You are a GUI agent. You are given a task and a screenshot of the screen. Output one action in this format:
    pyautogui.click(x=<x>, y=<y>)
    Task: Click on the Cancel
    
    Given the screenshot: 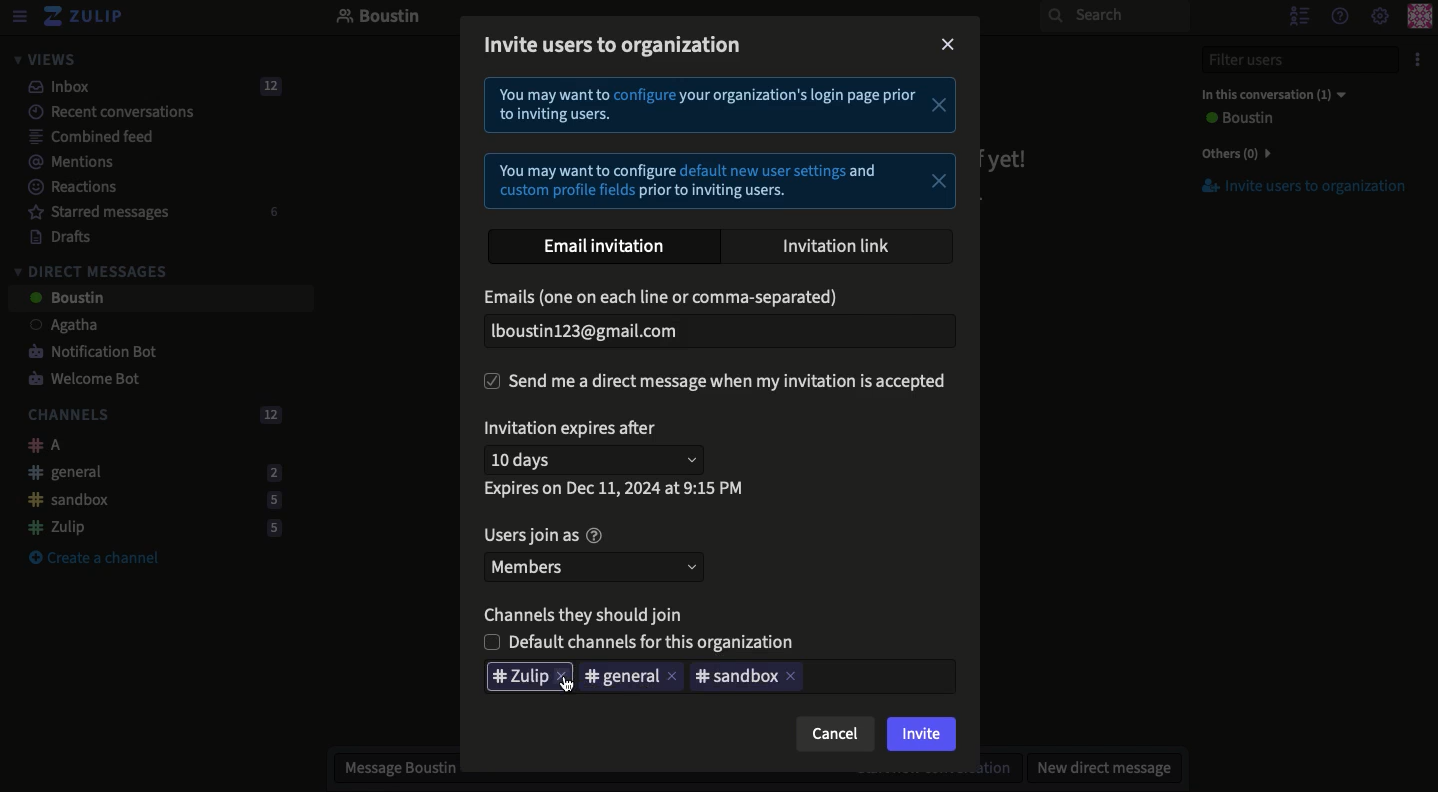 What is the action you would take?
    pyautogui.click(x=835, y=734)
    